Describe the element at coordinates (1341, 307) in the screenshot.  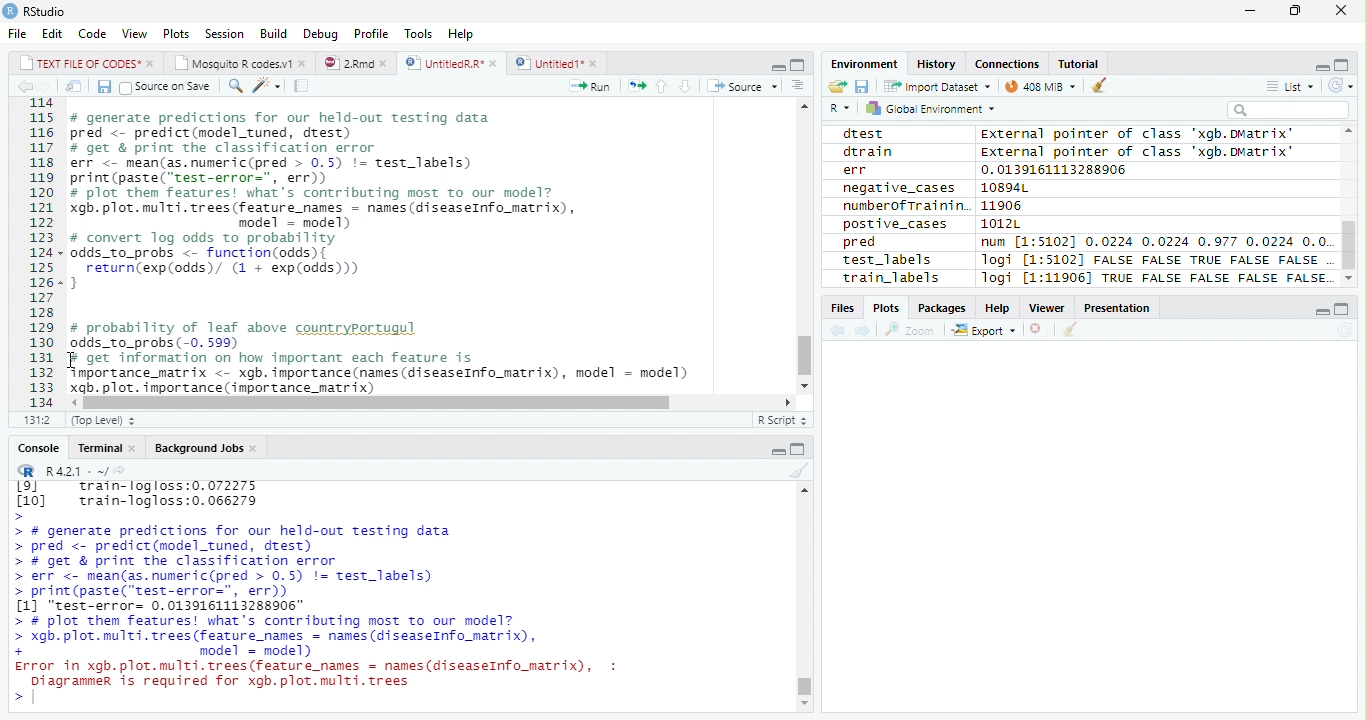
I see `Maximize` at that location.